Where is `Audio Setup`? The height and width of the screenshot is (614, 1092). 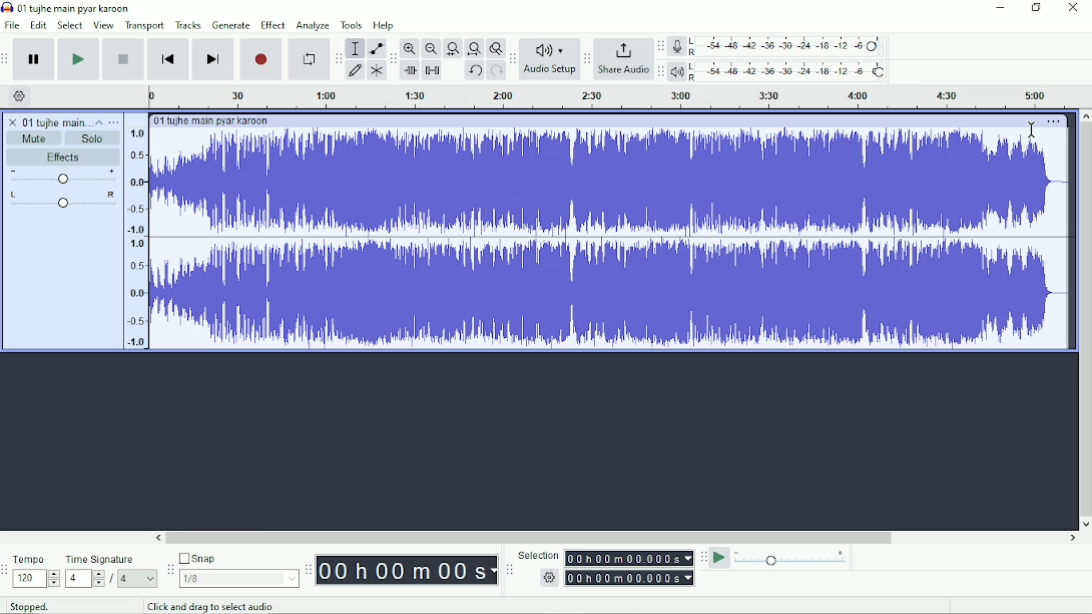
Audio Setup is located at coordinates (550, 59).